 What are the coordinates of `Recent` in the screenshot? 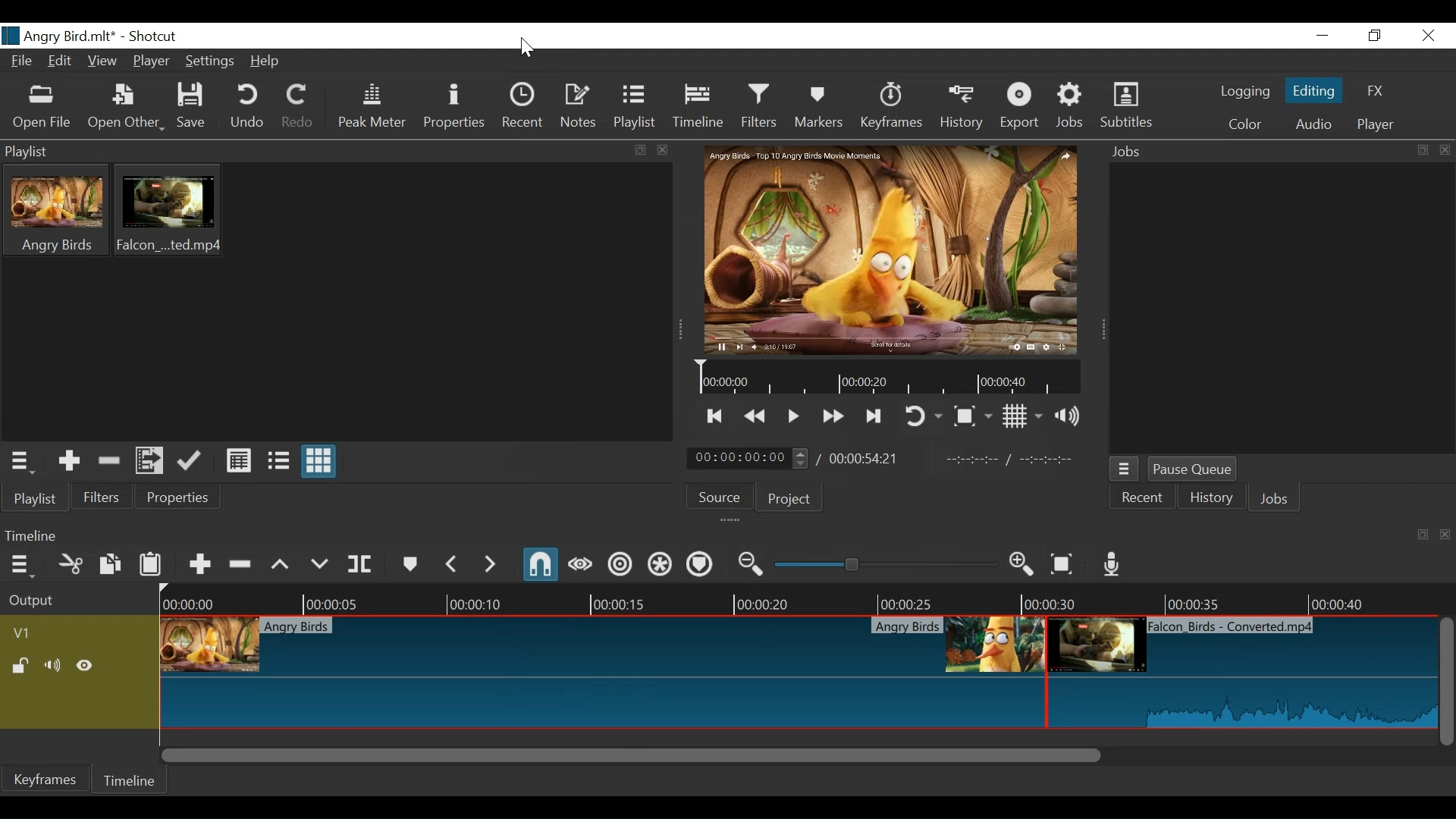 It's located at (1139, 497).